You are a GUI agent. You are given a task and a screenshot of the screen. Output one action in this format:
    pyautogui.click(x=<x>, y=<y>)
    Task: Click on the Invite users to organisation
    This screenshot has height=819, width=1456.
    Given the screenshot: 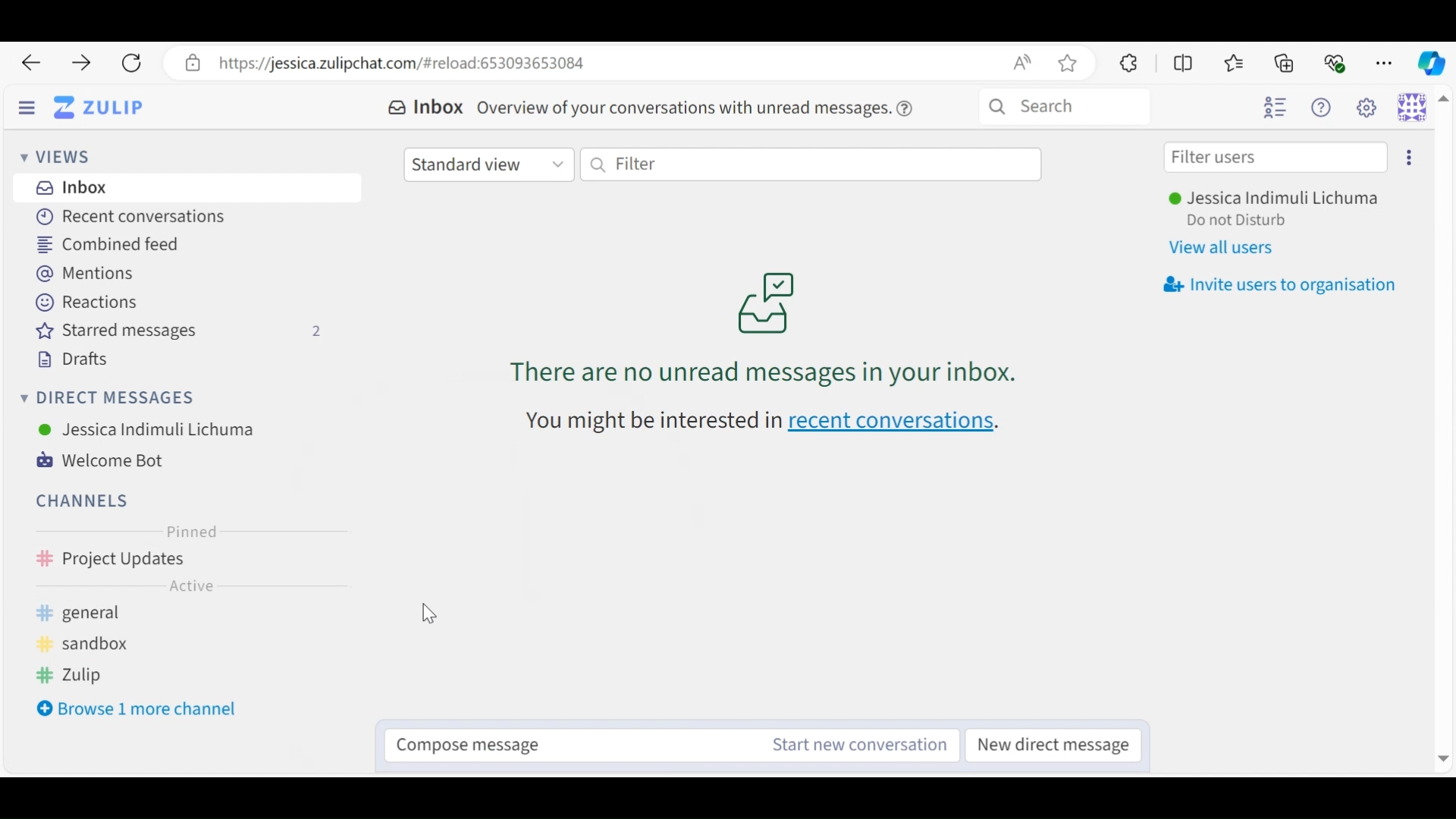 What is the action you would take?
    pyautogui.click(x=1279, y=285)
    